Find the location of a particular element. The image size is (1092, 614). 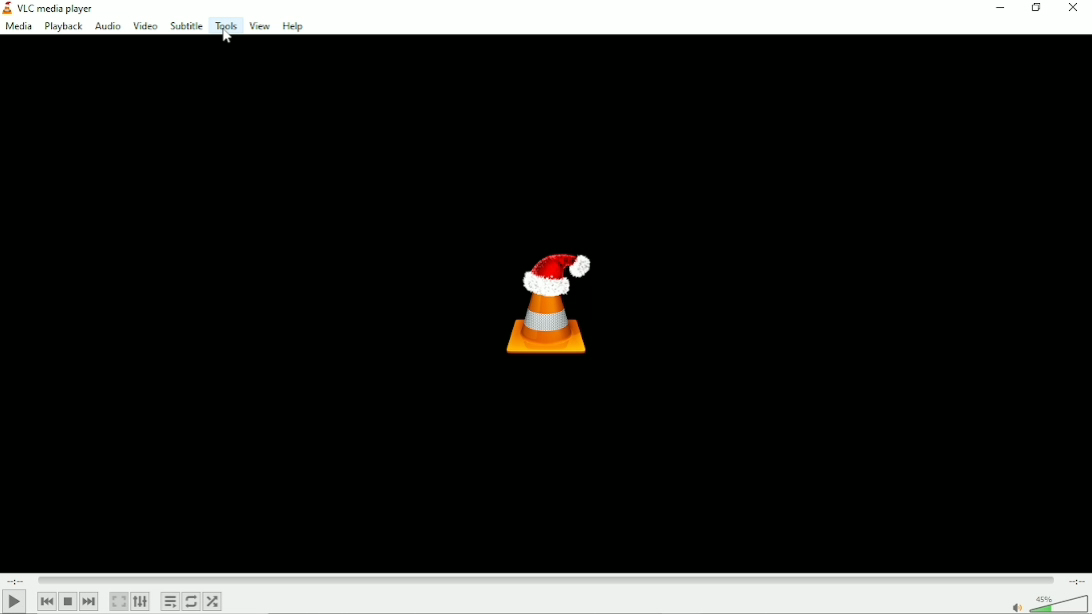

Video is located at coordinates (144, 26).